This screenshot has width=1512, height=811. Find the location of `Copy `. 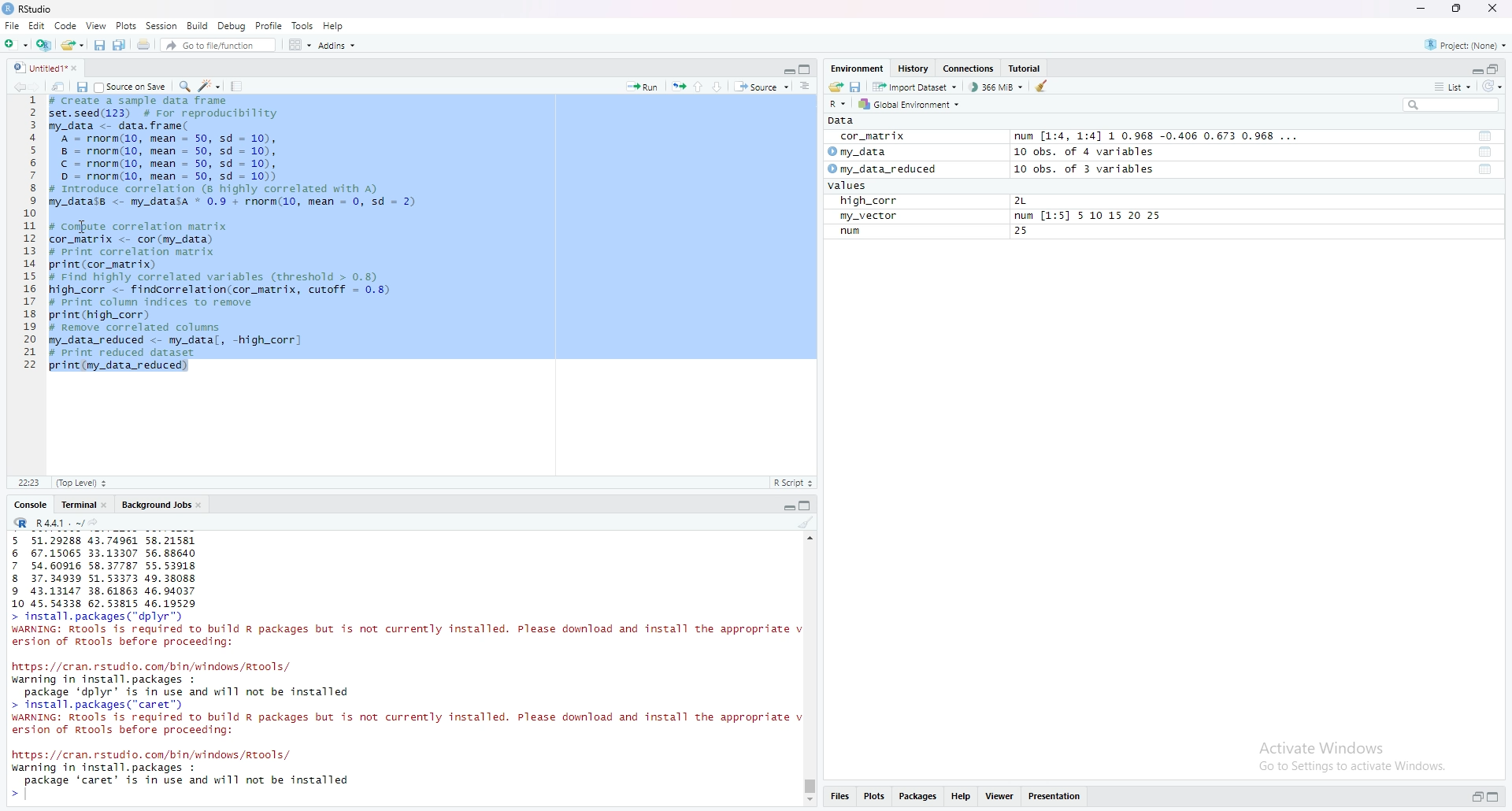

Copy  is located at coordinates (120, 45).